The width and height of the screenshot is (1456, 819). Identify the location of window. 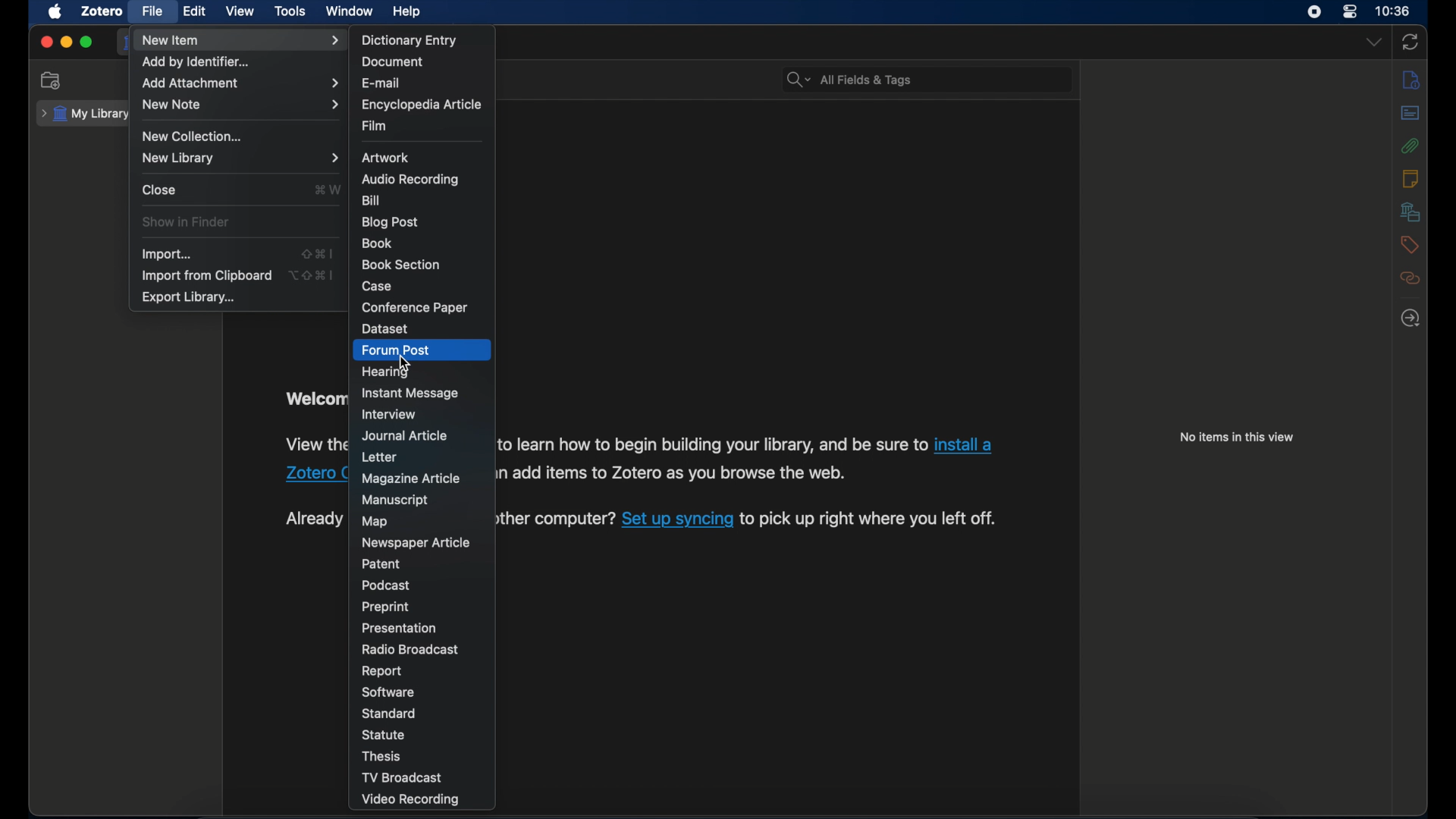
(350, 11).